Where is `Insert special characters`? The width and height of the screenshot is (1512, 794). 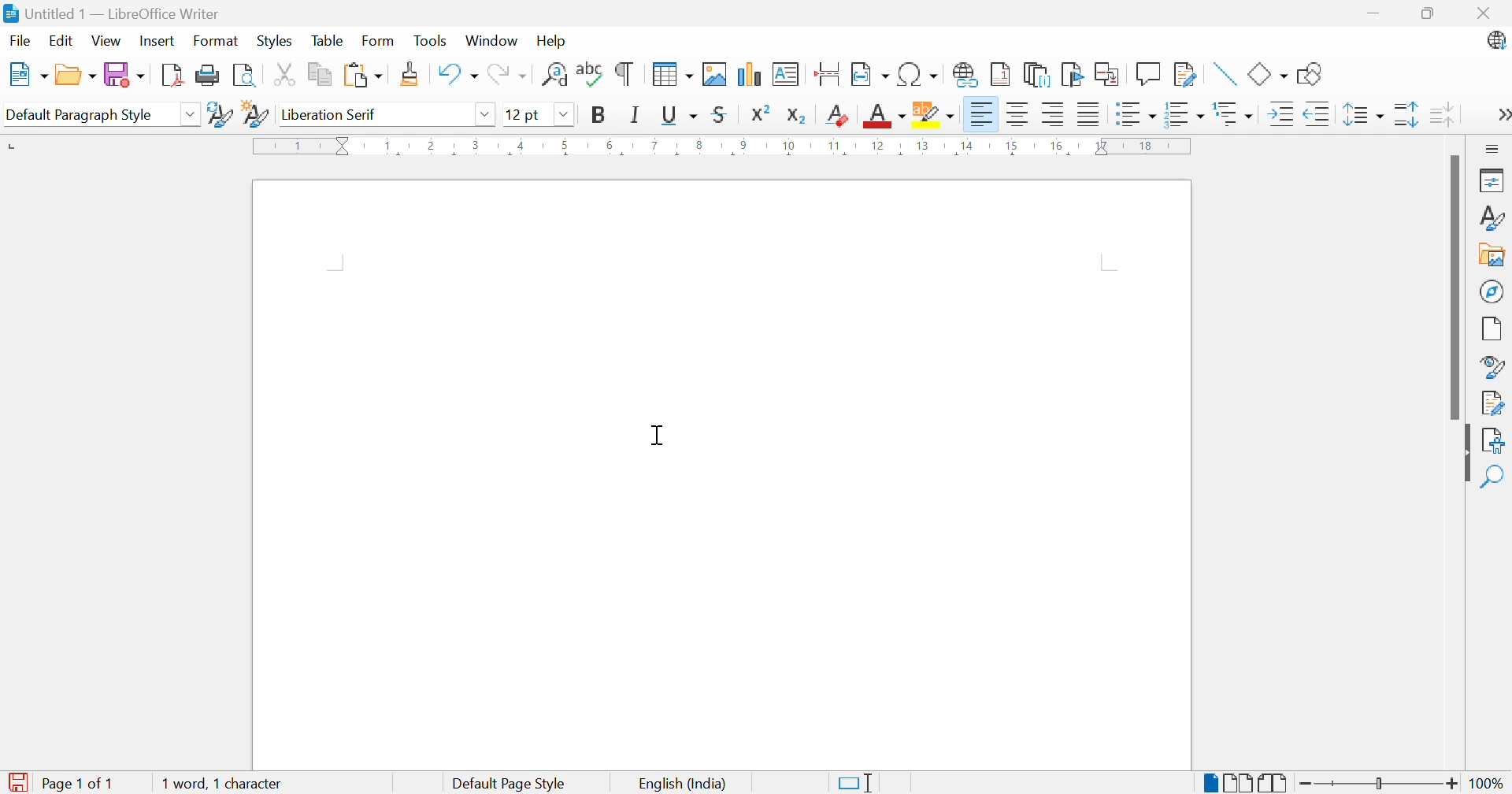 Insert special characters is located at coordinates (920, 74).